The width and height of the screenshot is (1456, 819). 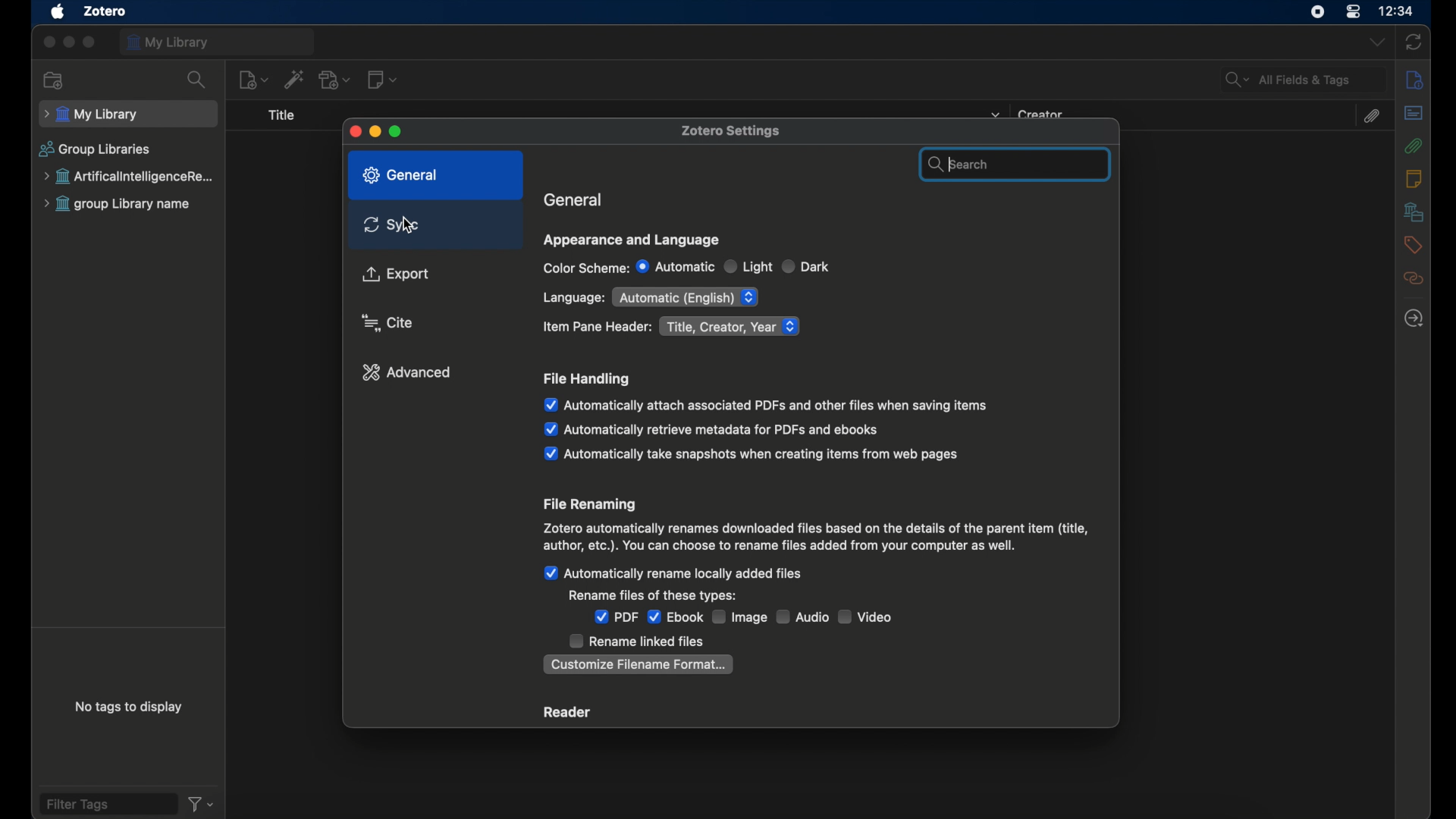 What do you see at coordinates (684, 297) in the screenshot?
I see `automatic English` at bounding box center [684, 297].